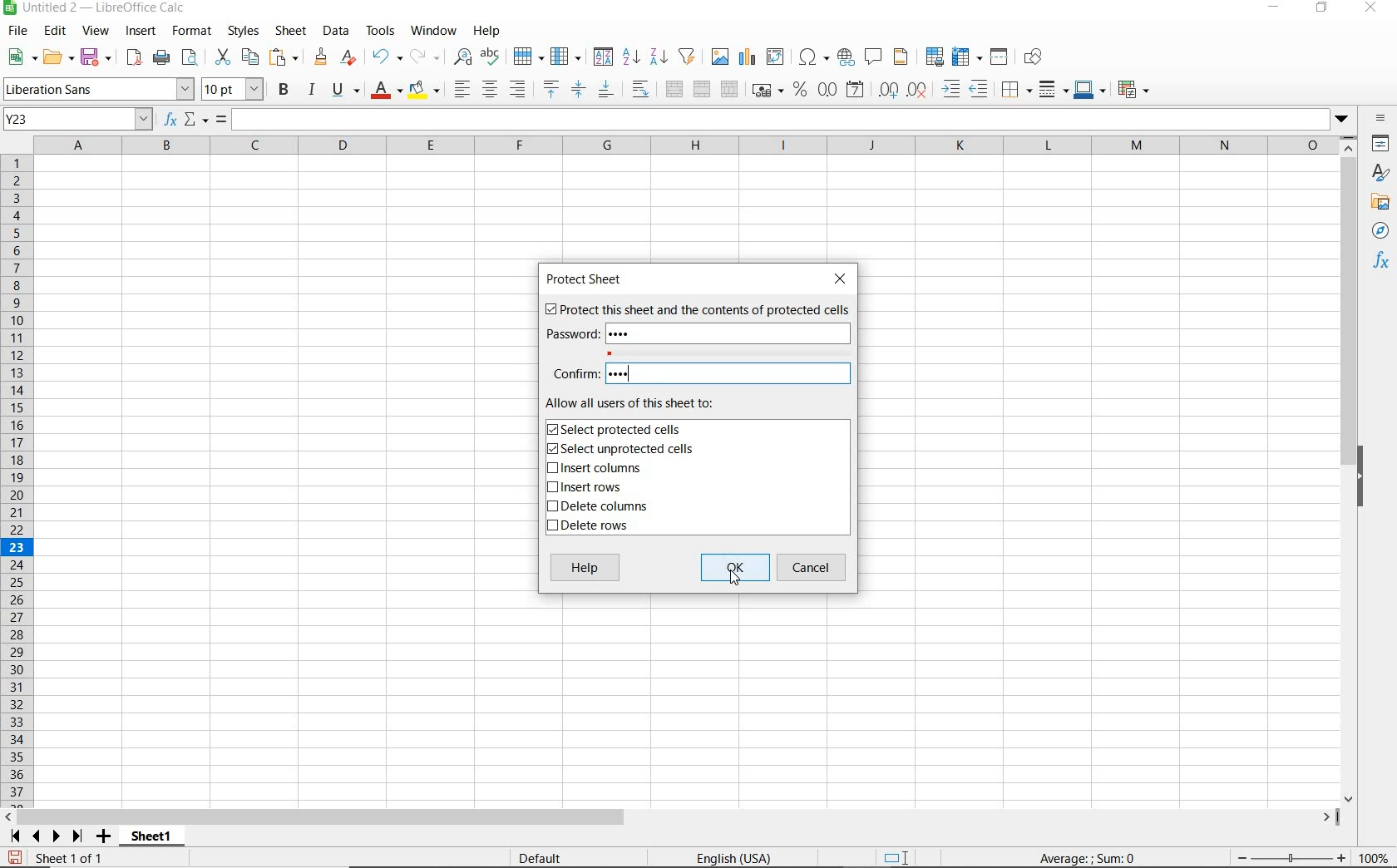  What do you see at coordinates (347, 57) in the screenshot?
I see `CLEAR DIRECT FORMATTING` at bounding box center [347, 57].